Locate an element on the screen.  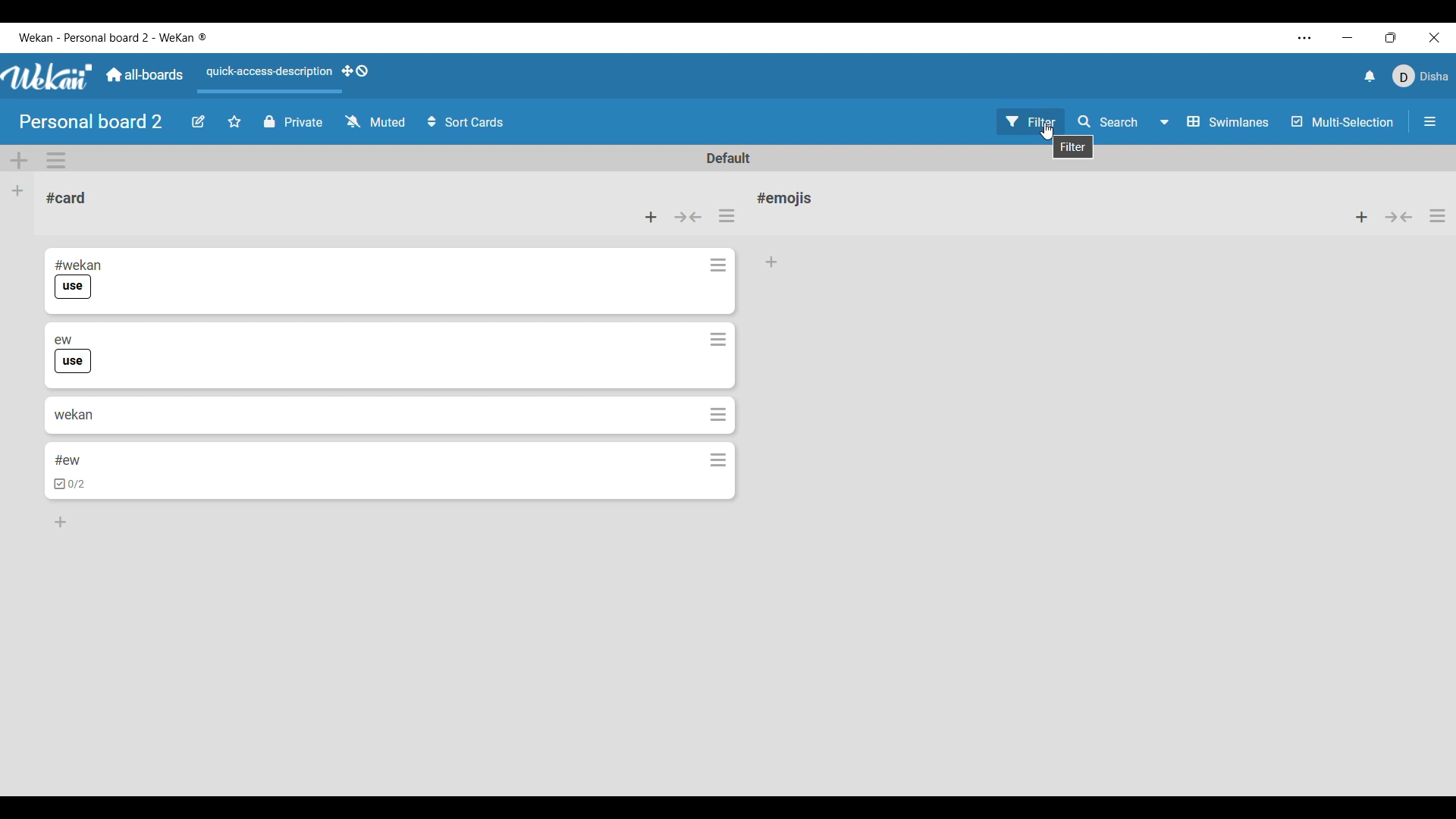
checkbox  is located at coordinates (71, 485).